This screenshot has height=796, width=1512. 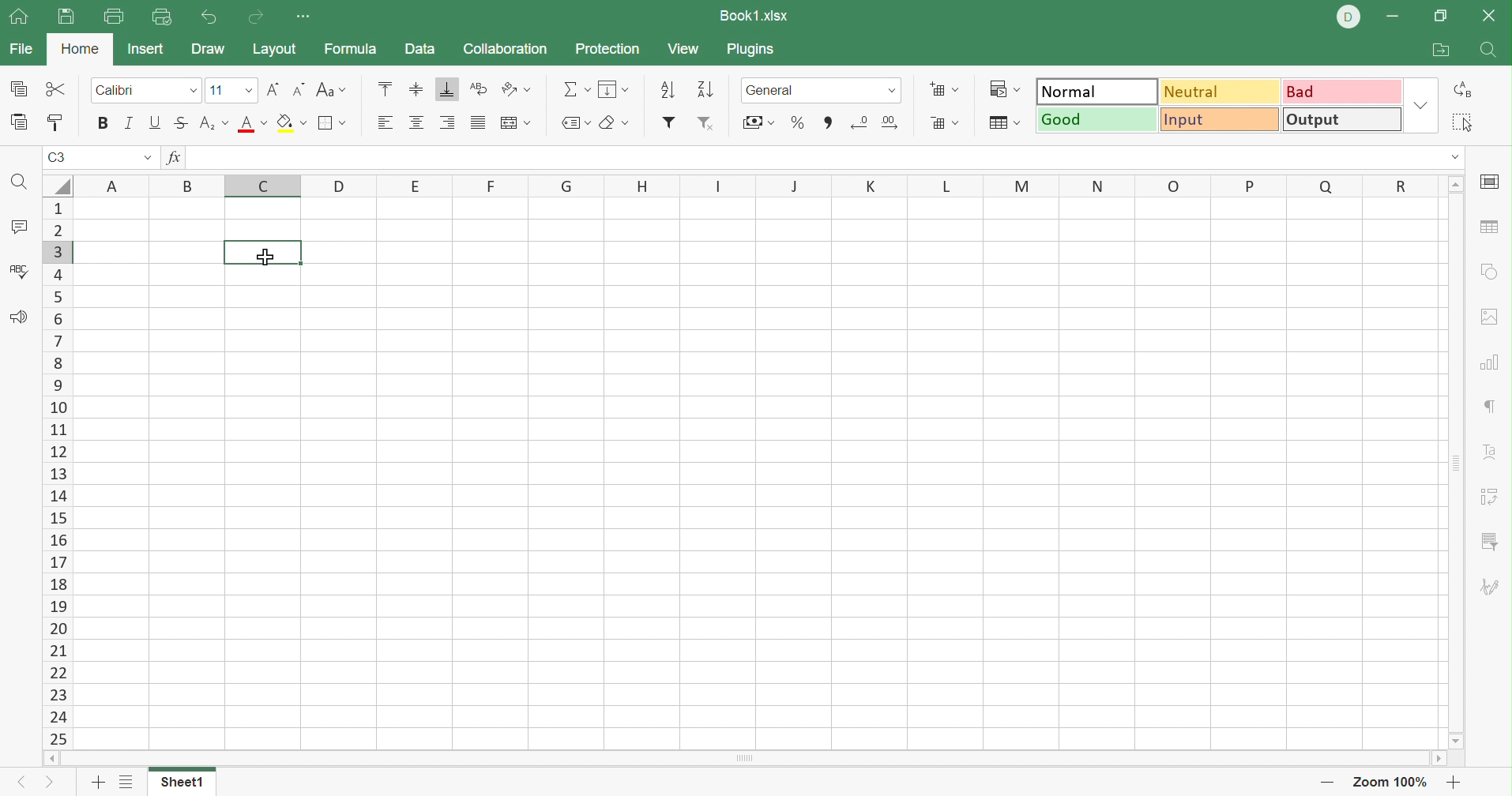 What do you see at coordinates (1097, 93) in the screenshot?
I see `Normal` at bounding box center [1097, 93].